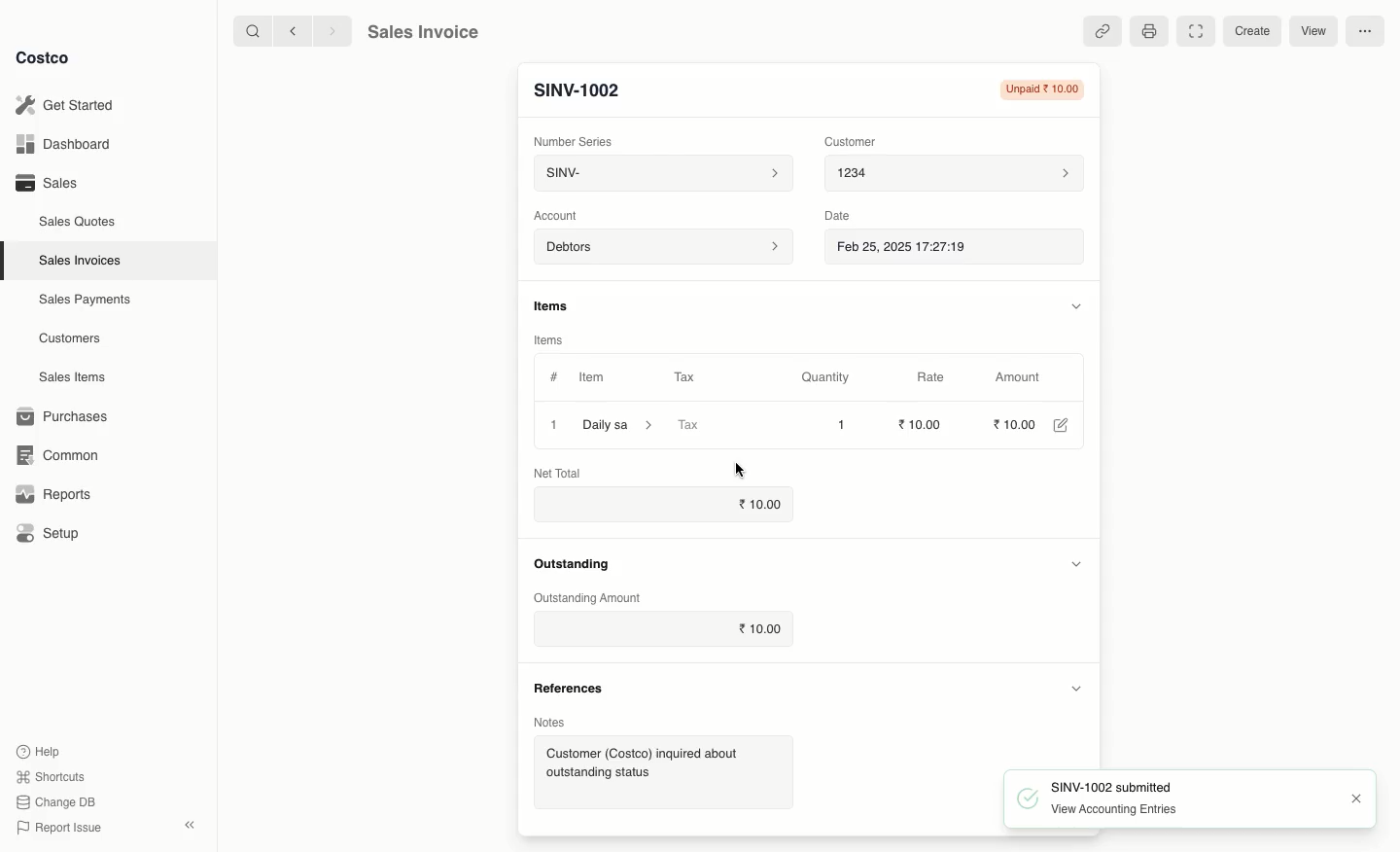 The width and height of the screenshot is (1400, 852). I want to click on Sales, so click(48, 184).